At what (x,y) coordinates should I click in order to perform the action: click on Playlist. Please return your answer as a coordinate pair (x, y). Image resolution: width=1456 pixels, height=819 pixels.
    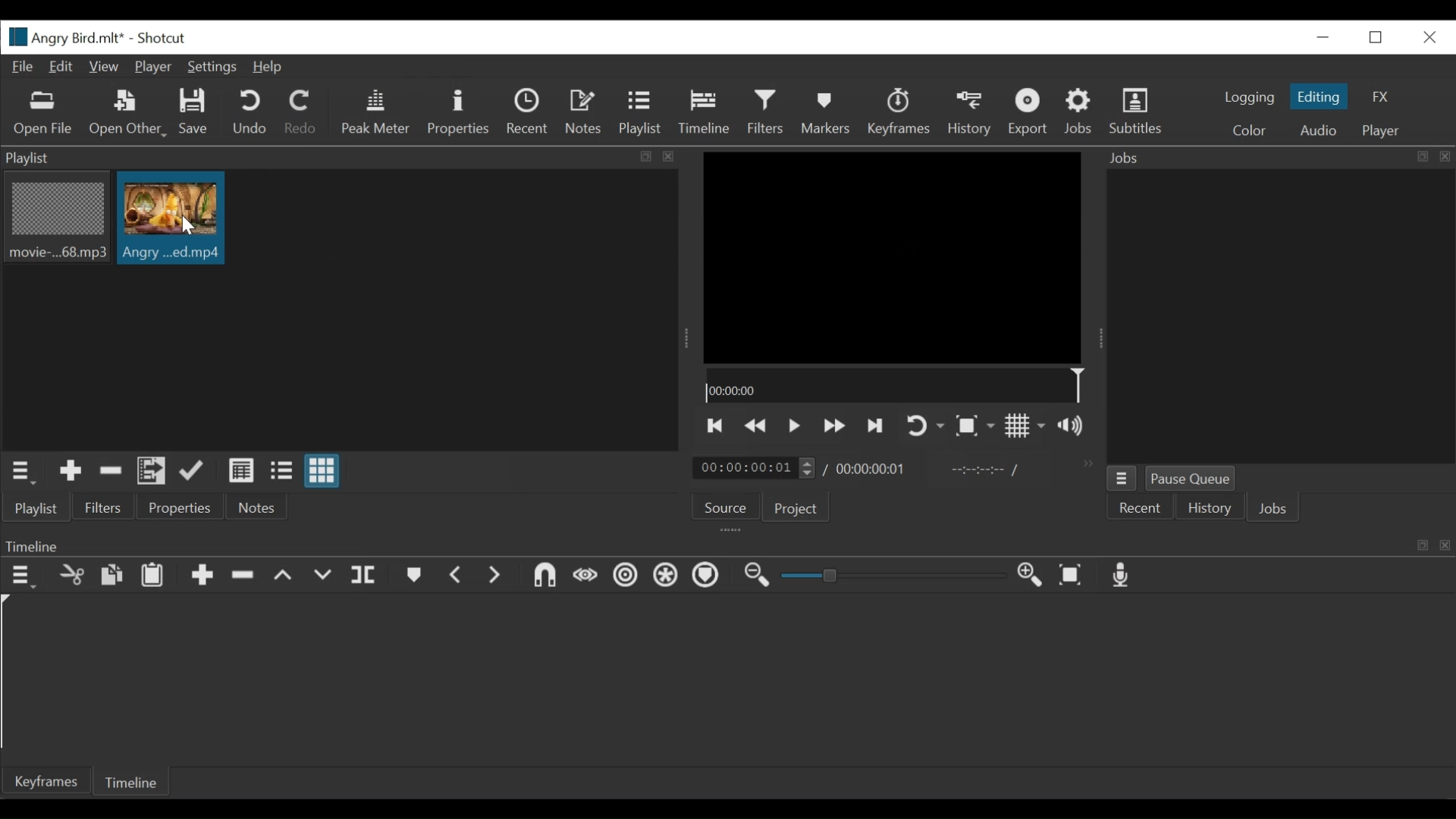
    Looking at the image, I should click on (642, 114).